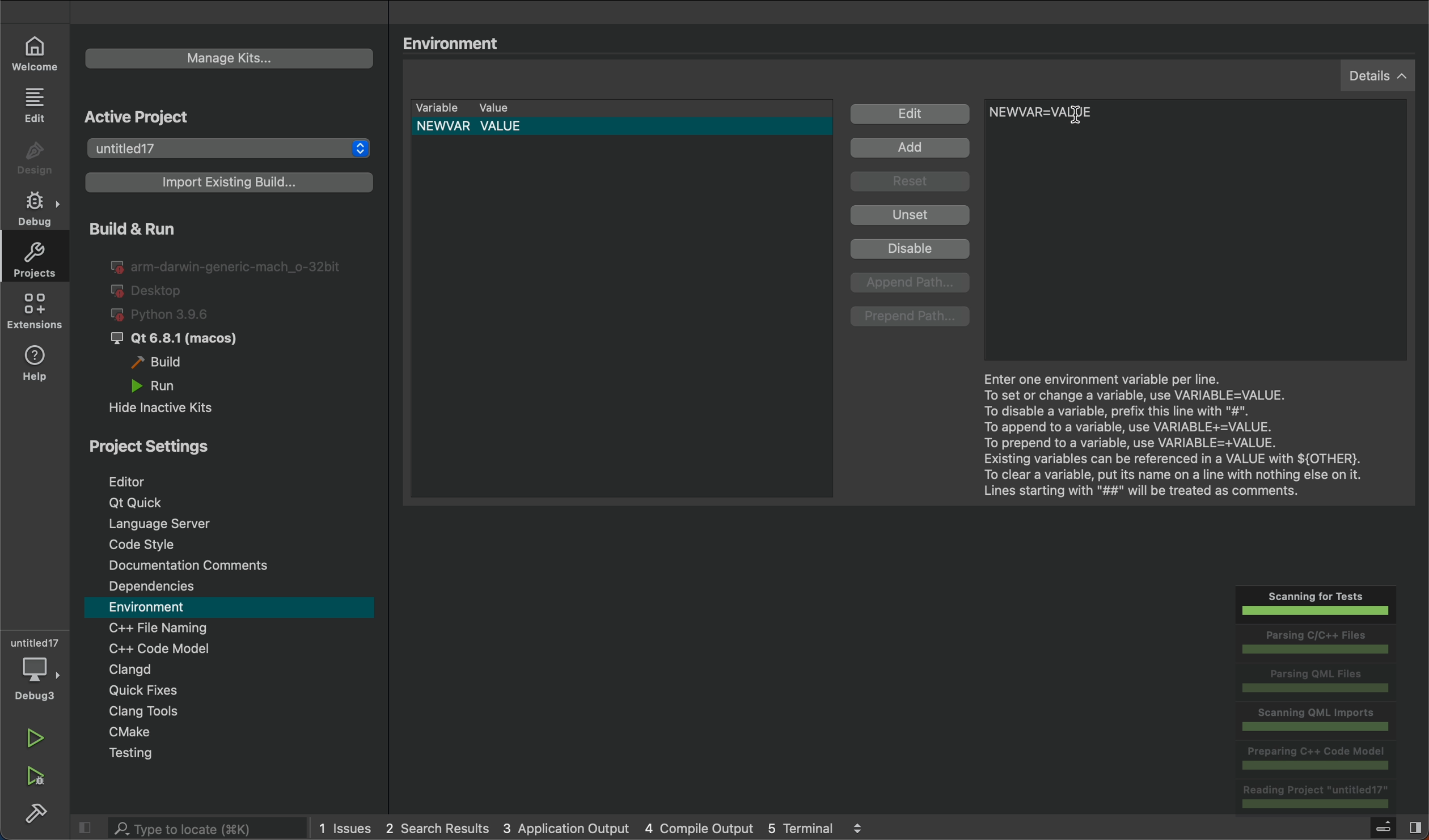  What do you see at coordinates (232, 523) in the screenshot?
I see `Language server` at bounding box center [232, 523].